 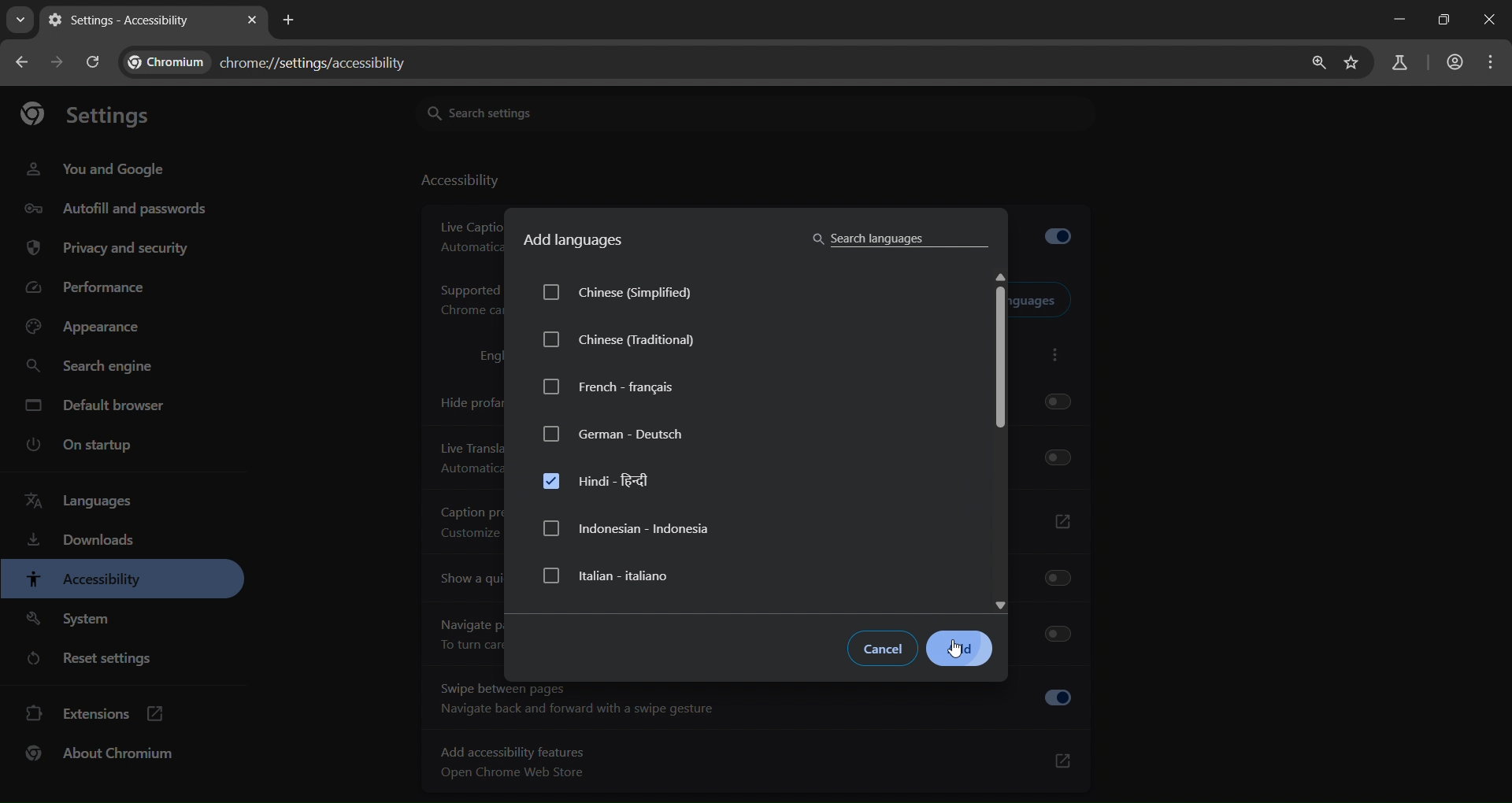 What do you see at coordinates (72, 620) in the screenshot?
I see `system` at bounding box center [72, 620].